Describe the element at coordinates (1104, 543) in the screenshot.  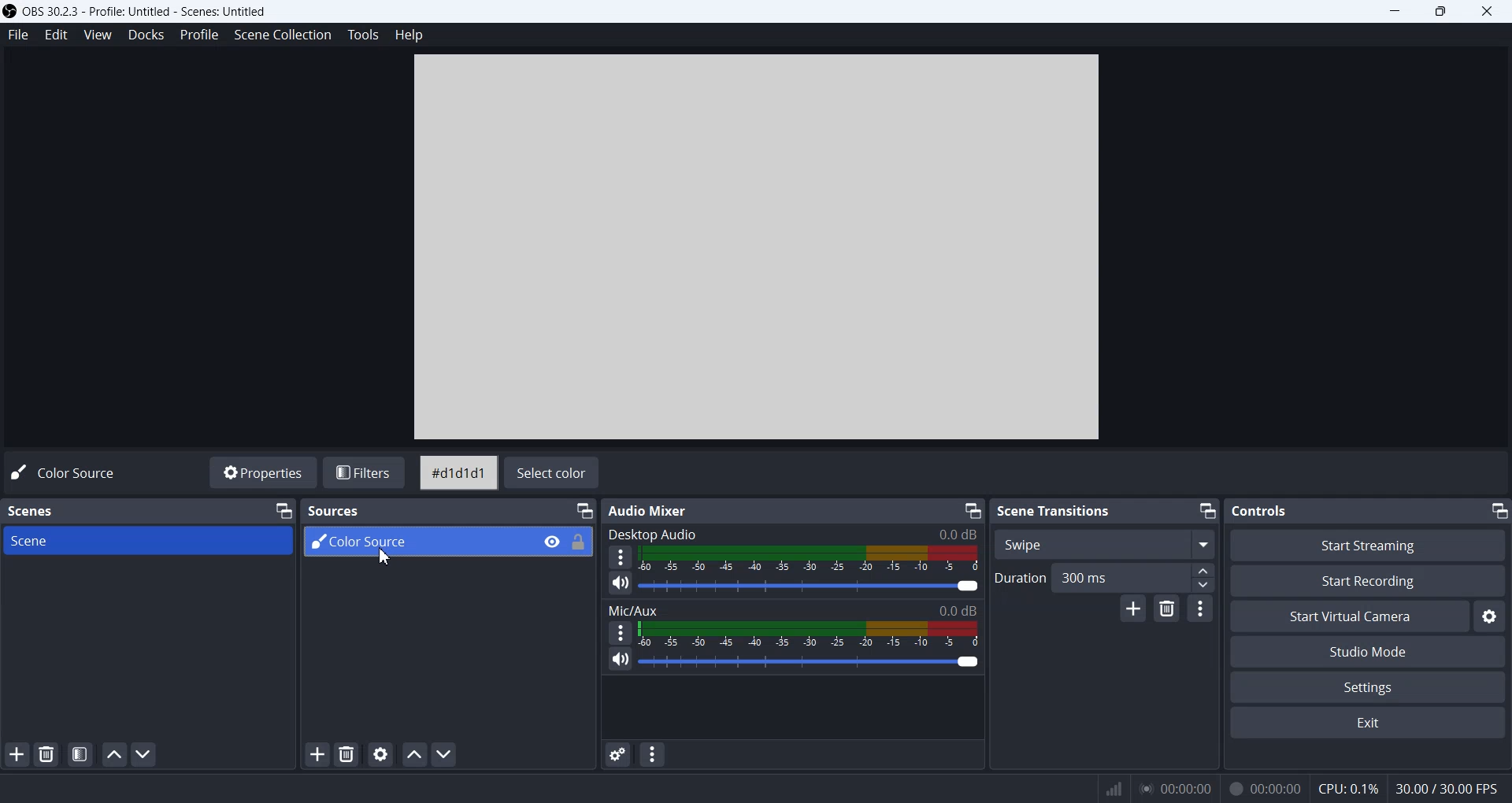
I see `Swipe` at that location.